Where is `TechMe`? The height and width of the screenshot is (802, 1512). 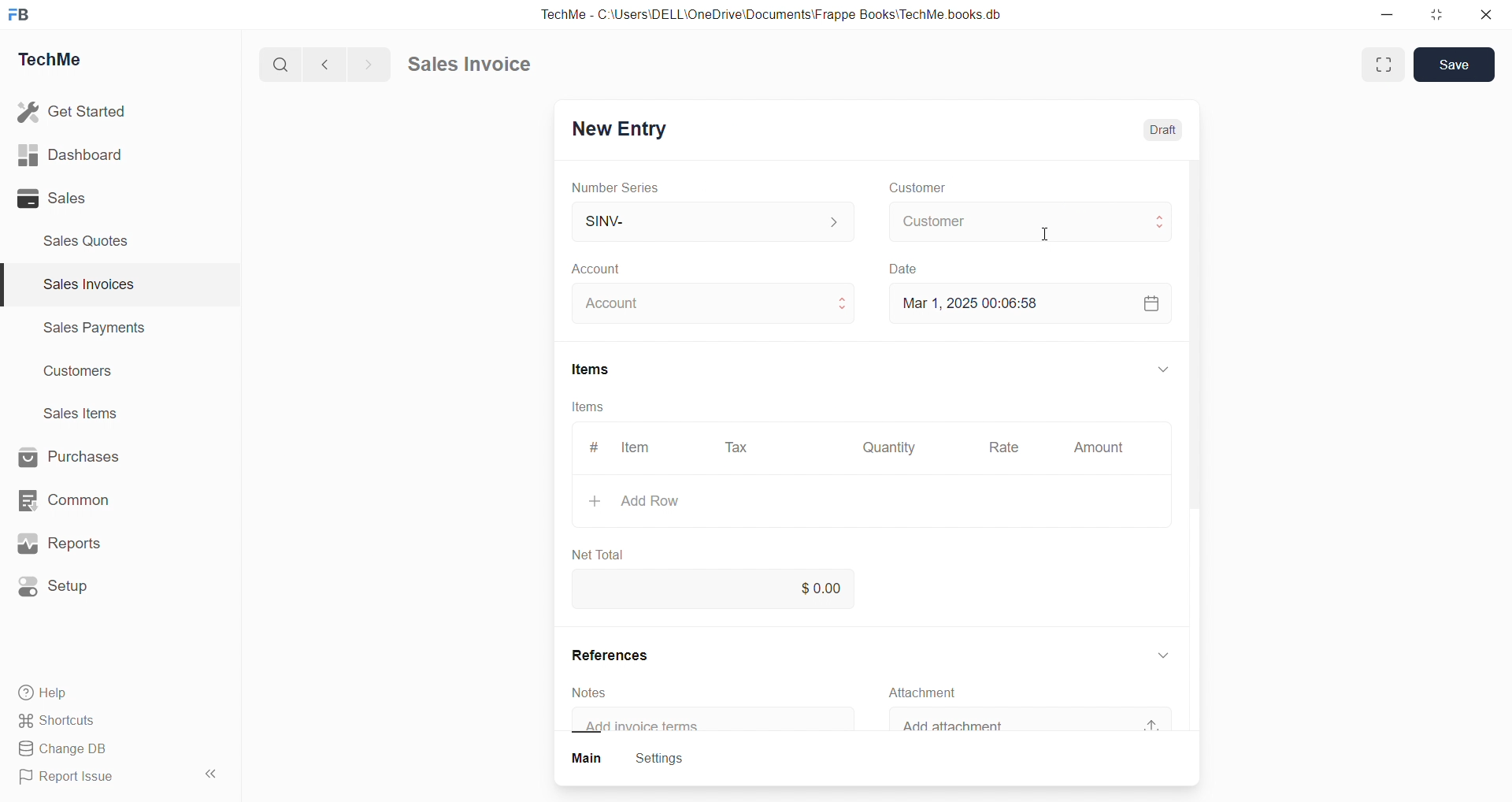
TechMe is located at coordinates (63, 62).